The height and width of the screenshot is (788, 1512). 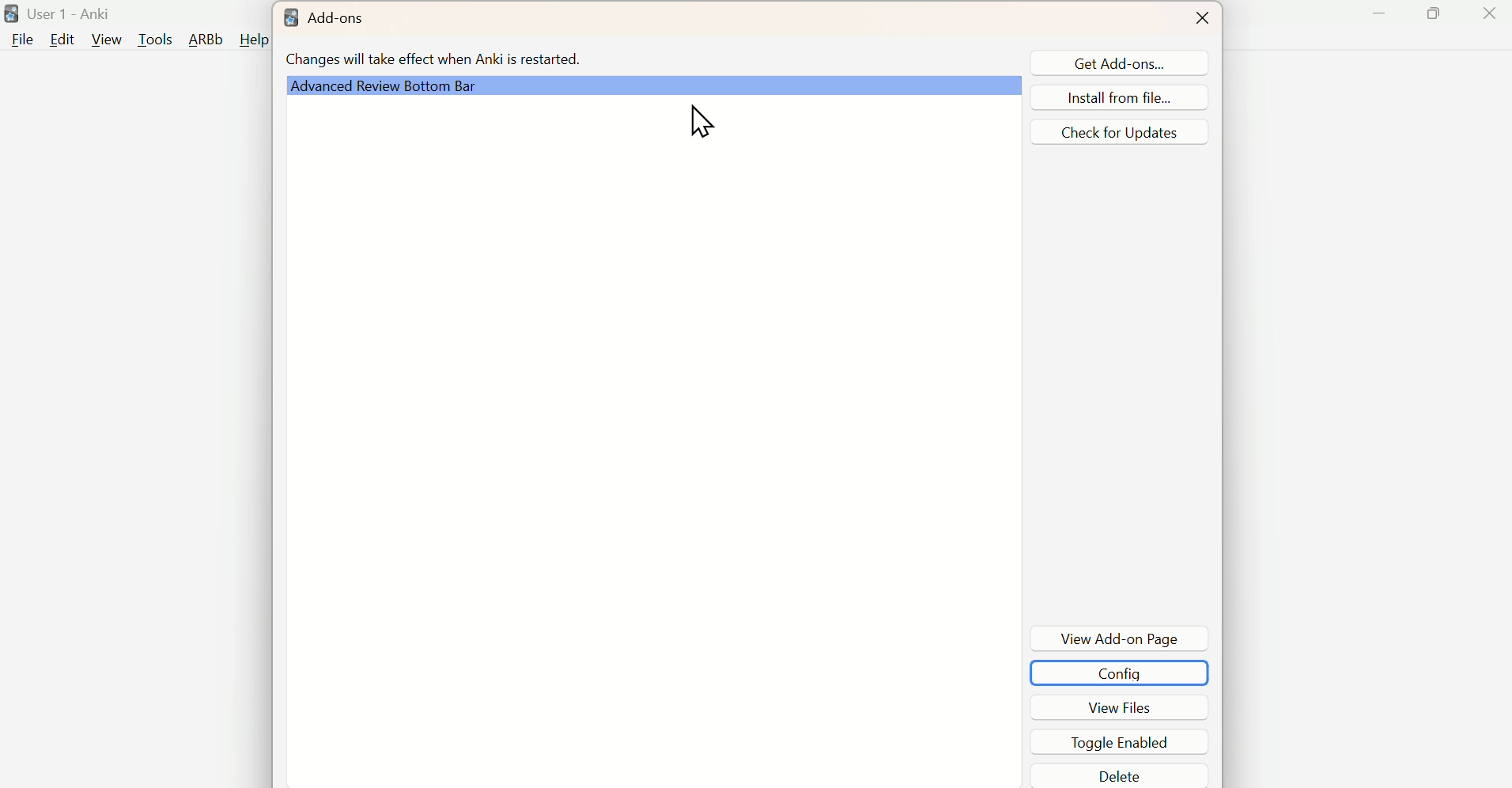 I want to click on Toggle Enabled, so click(x=1121, y=742).